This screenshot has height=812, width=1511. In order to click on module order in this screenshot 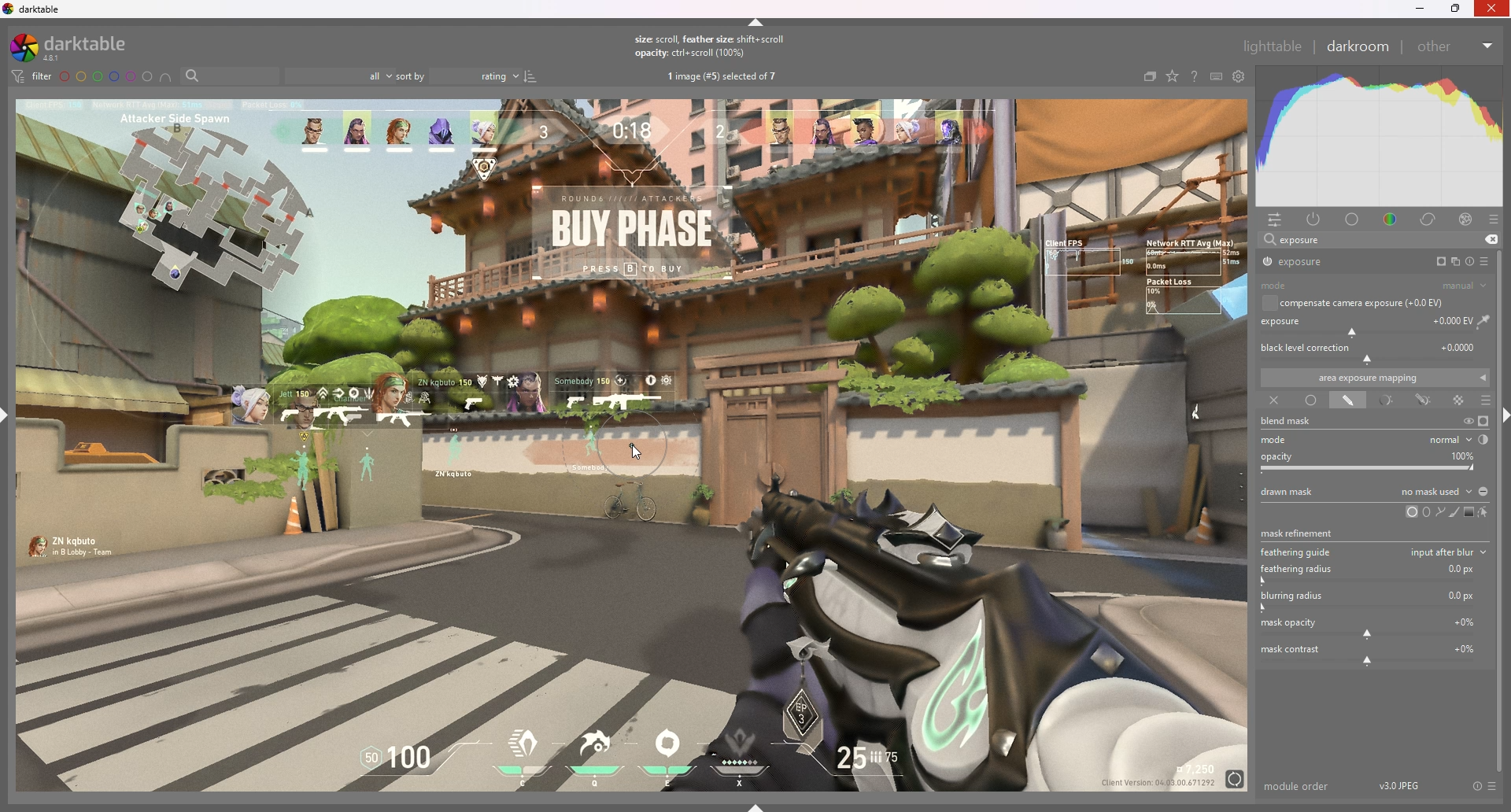, I will do `click(1298, 786)`.